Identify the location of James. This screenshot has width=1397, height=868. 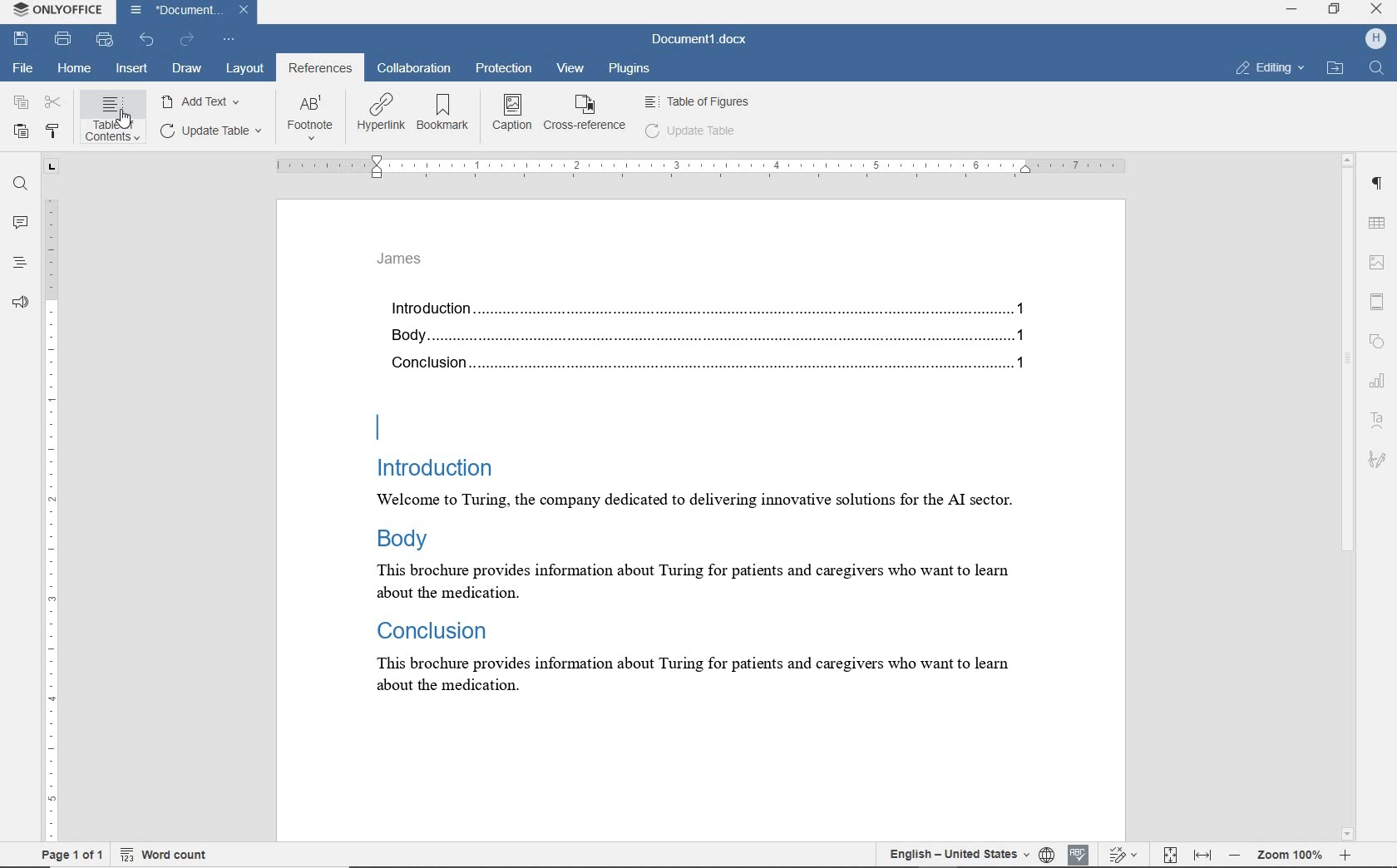
(402, 259).